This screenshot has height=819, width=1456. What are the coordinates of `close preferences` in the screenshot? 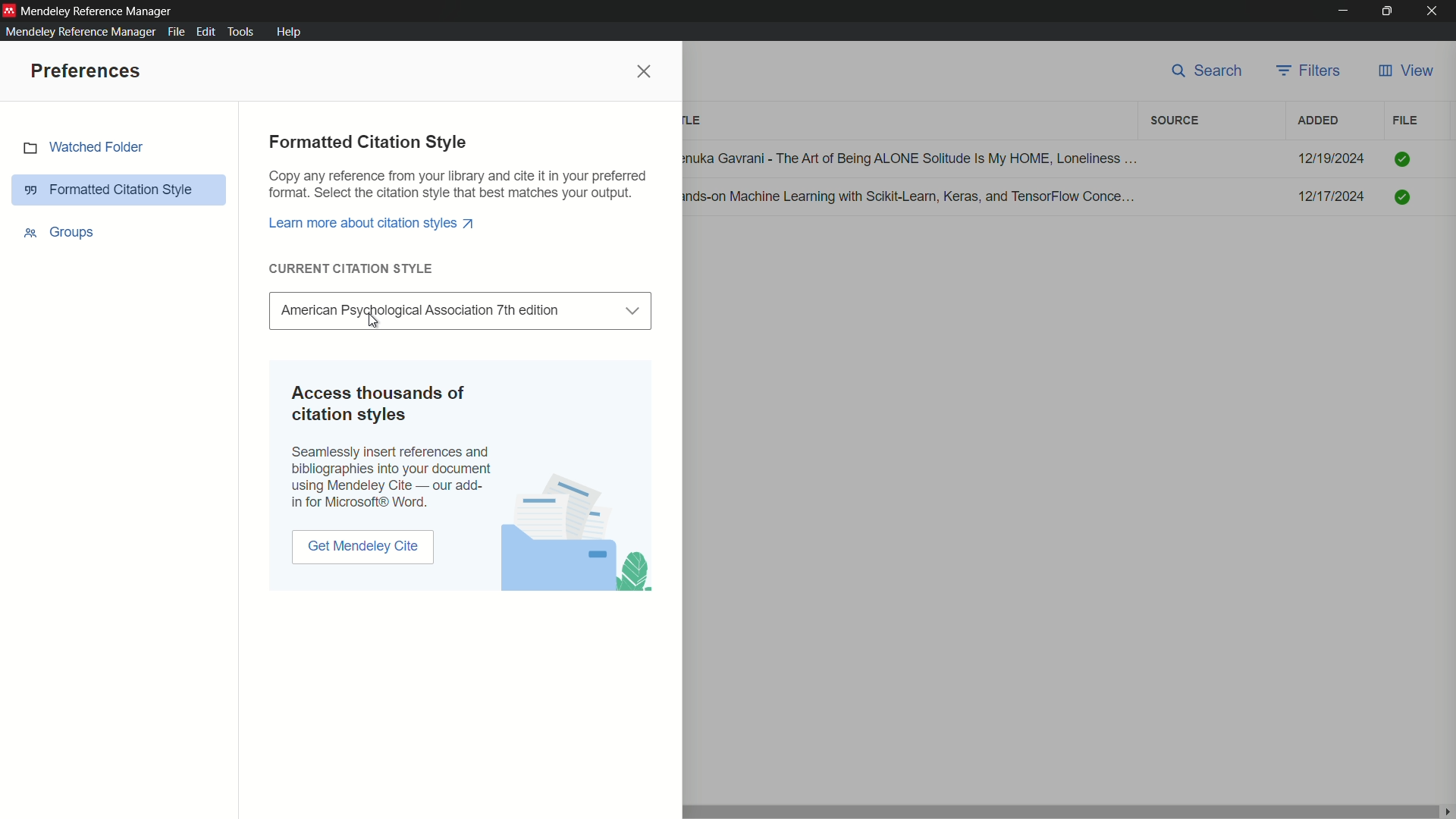 It's located at (645, 72).